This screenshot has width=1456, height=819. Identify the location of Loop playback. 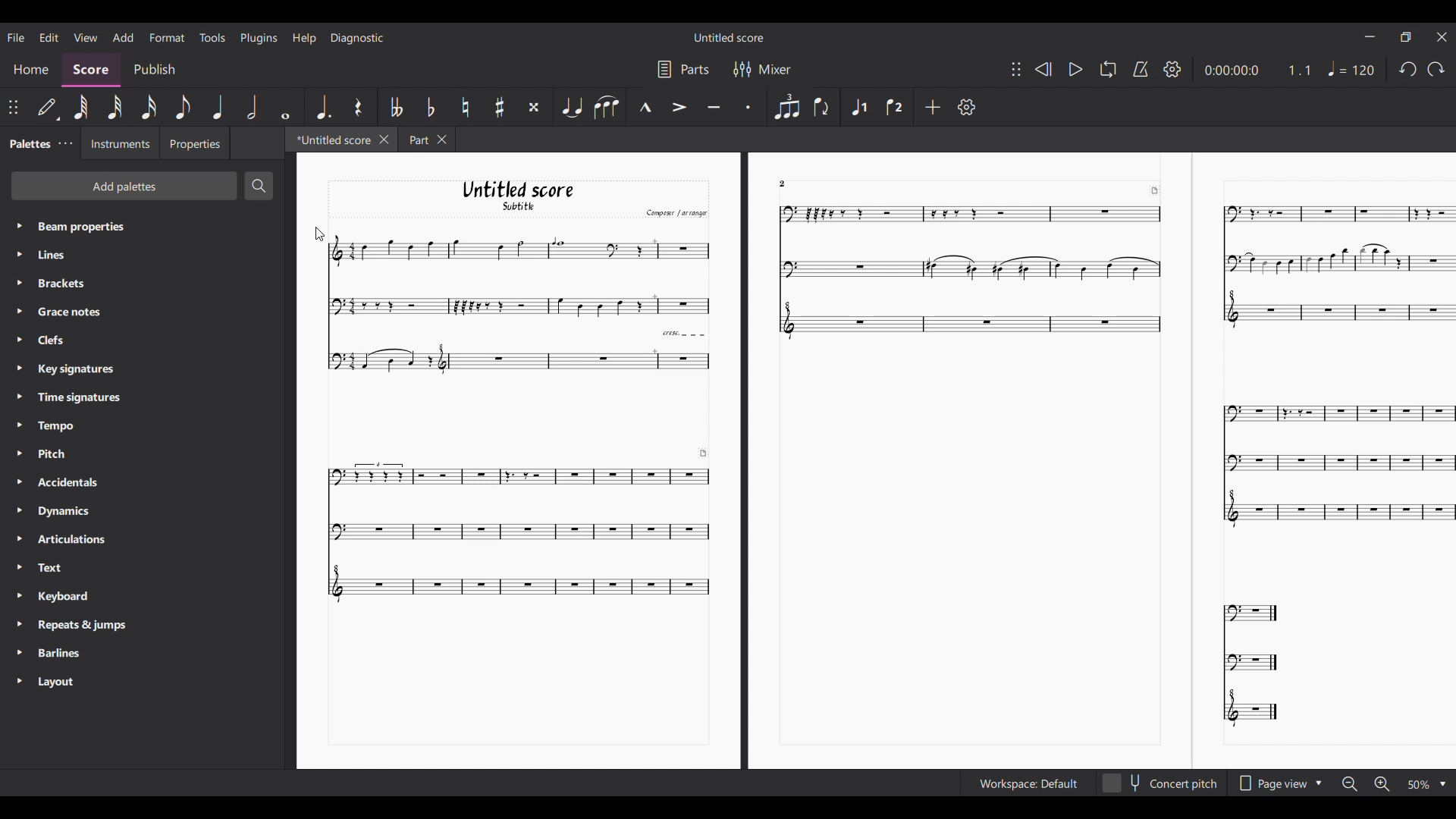
(1107, 70).